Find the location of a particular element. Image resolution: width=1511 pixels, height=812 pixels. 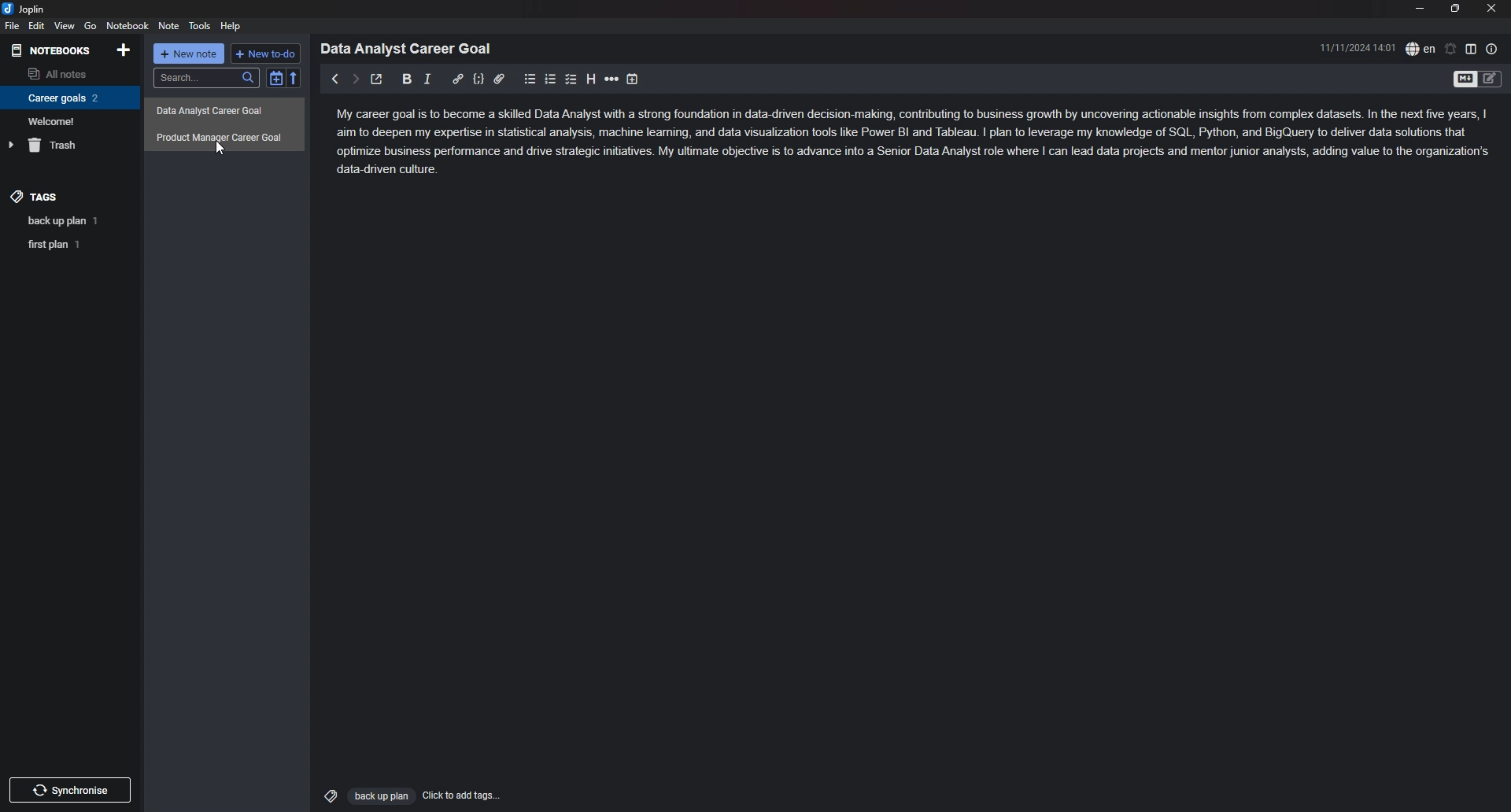

toggle editor layout is located at coordinates (1471, 48).